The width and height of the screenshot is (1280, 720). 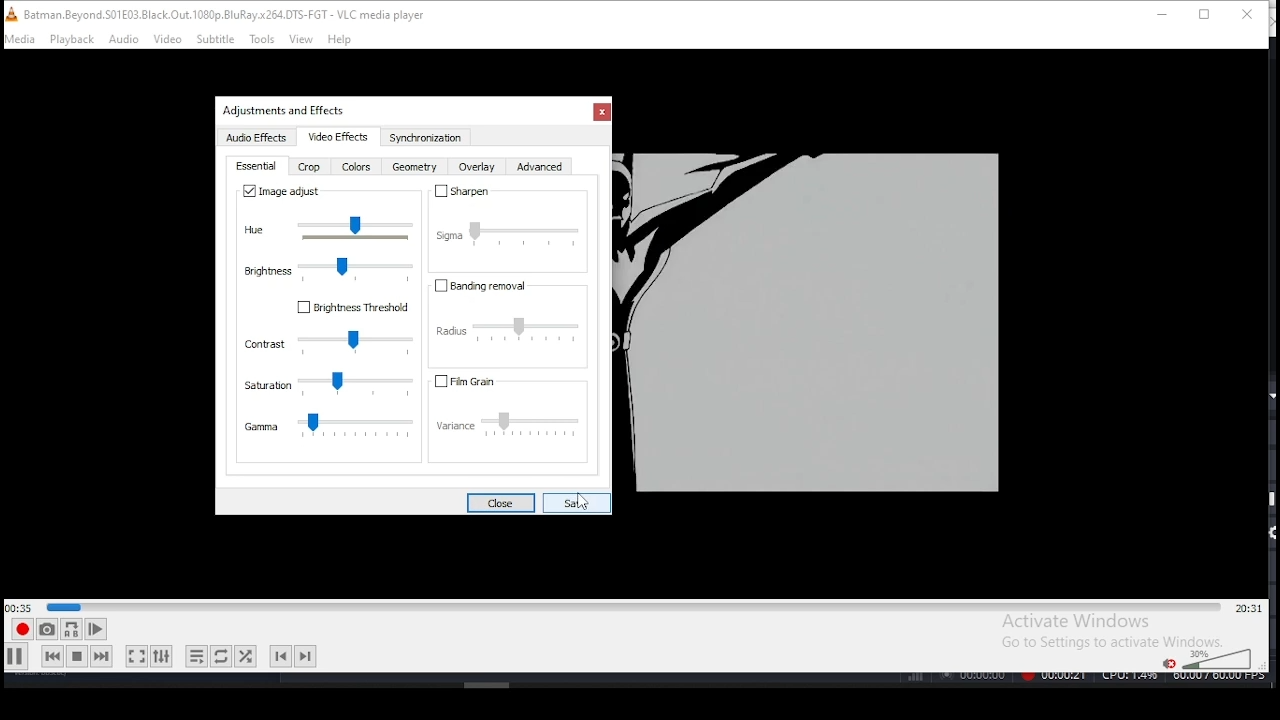 What do you see at coordinates (125, 40) in the screenshot?
I see `audio` at bounding box center [125, 40].